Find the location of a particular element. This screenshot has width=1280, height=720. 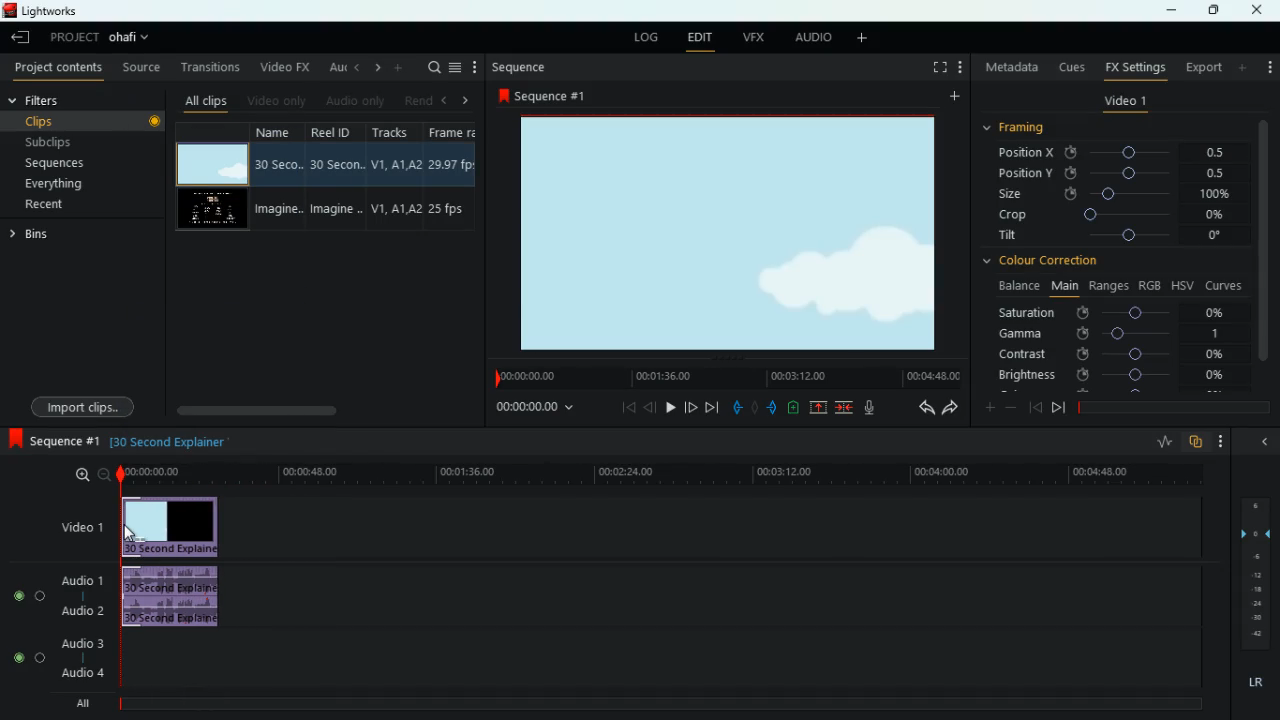

push is located at coordinates (773, 408).